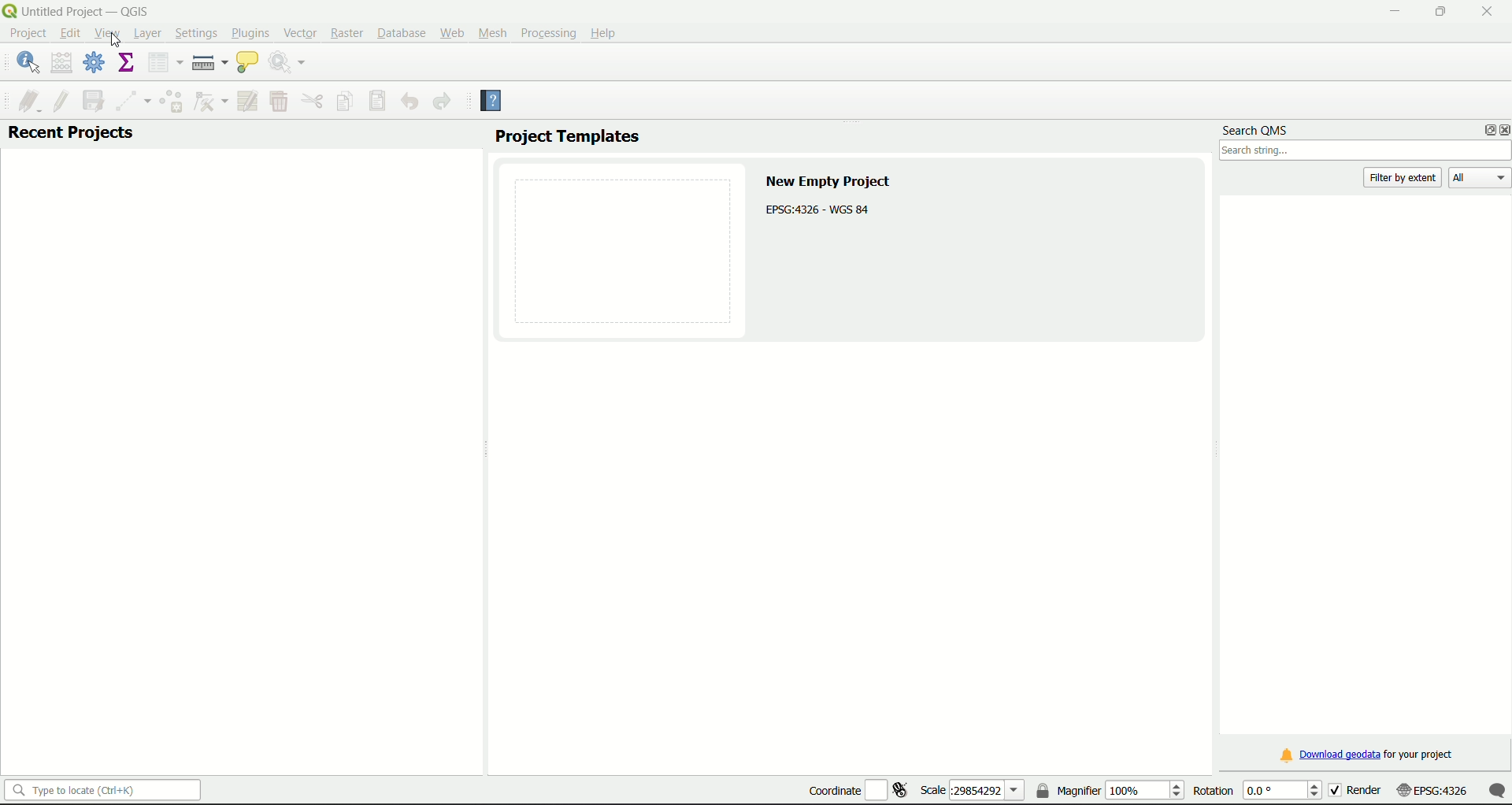  Describe the element at coordinates (248, 103) in the screenshot. I see `Modify attributes` at that location.